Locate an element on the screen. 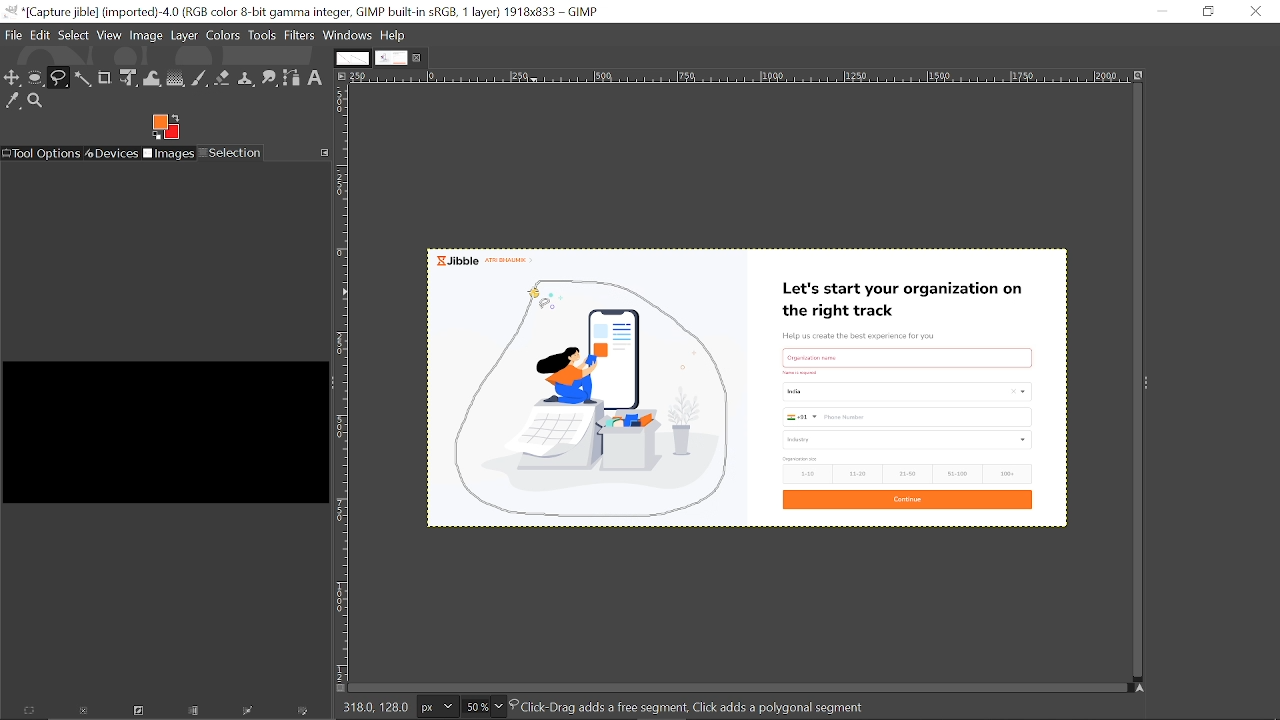 This screenshot has height=720, width=1280. Image is located at coordinates (147, 34).